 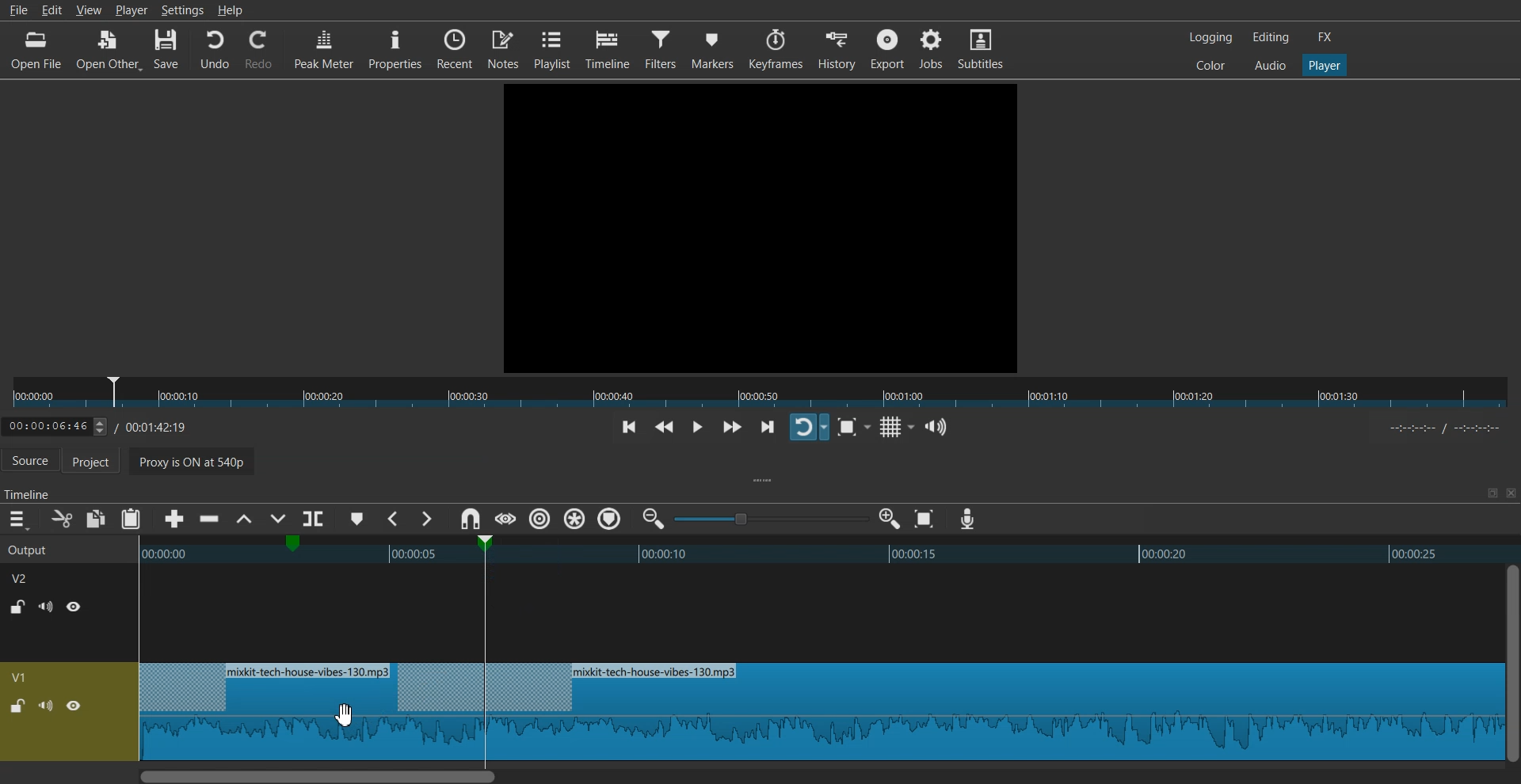 I want to click on Ripple all markers, so click(x=575, y=519).